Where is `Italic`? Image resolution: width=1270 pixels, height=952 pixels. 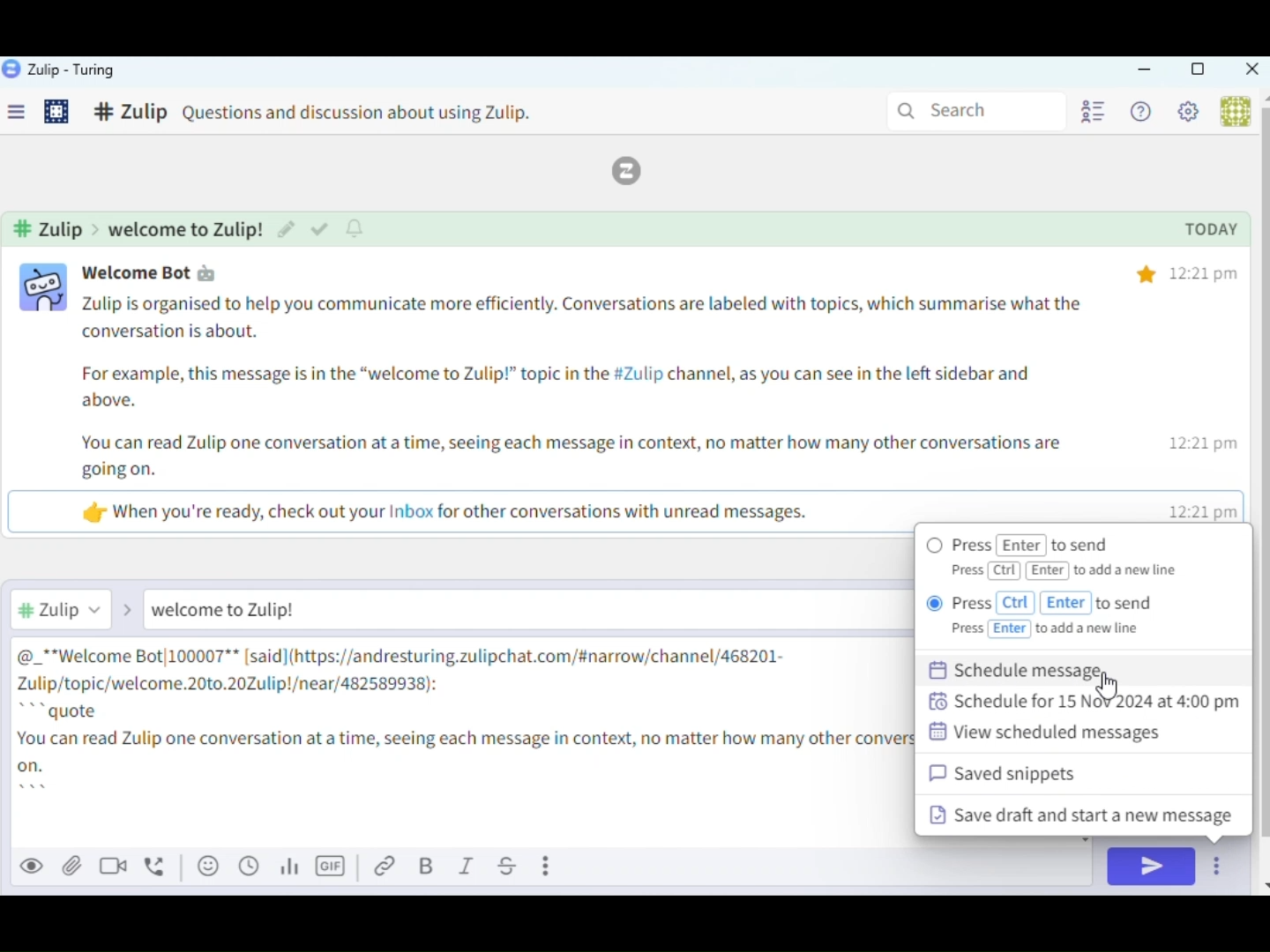 Italic is located at coordinates (467, 867).